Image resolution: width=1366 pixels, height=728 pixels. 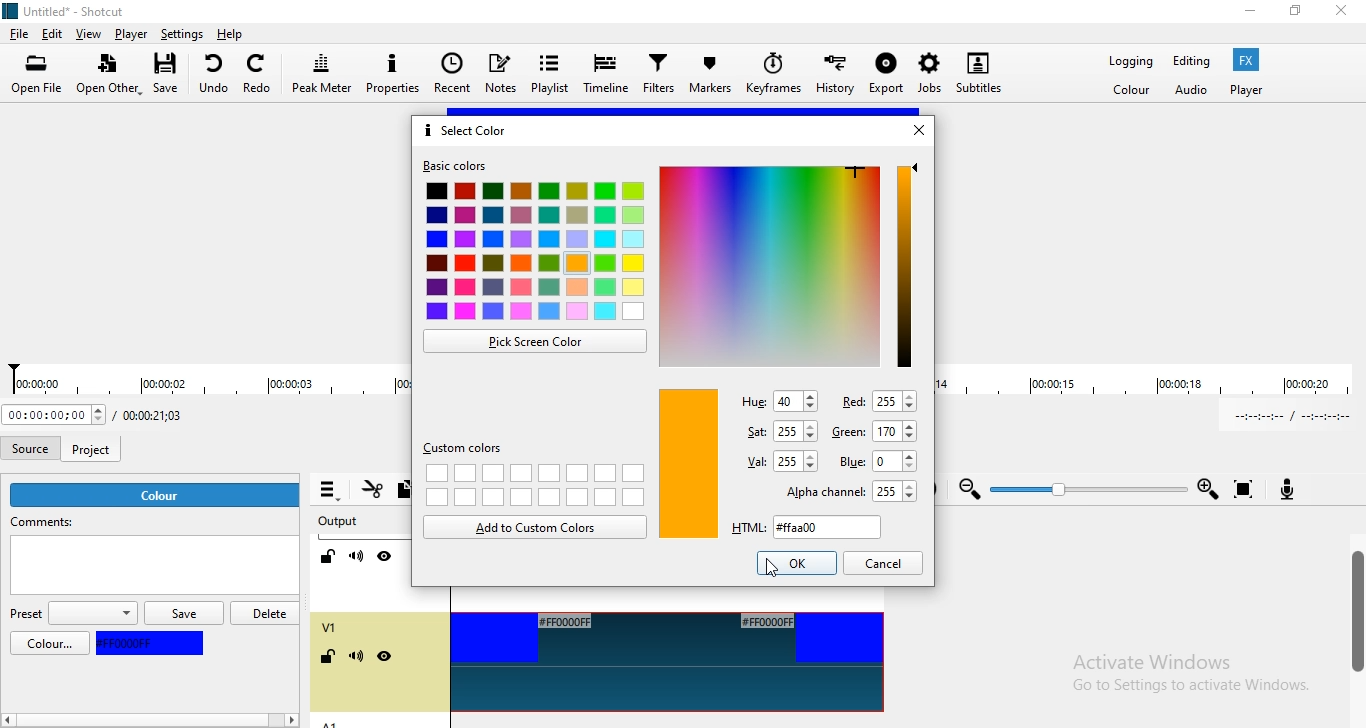 I want to click on Properties, so click(x=395, y=71).